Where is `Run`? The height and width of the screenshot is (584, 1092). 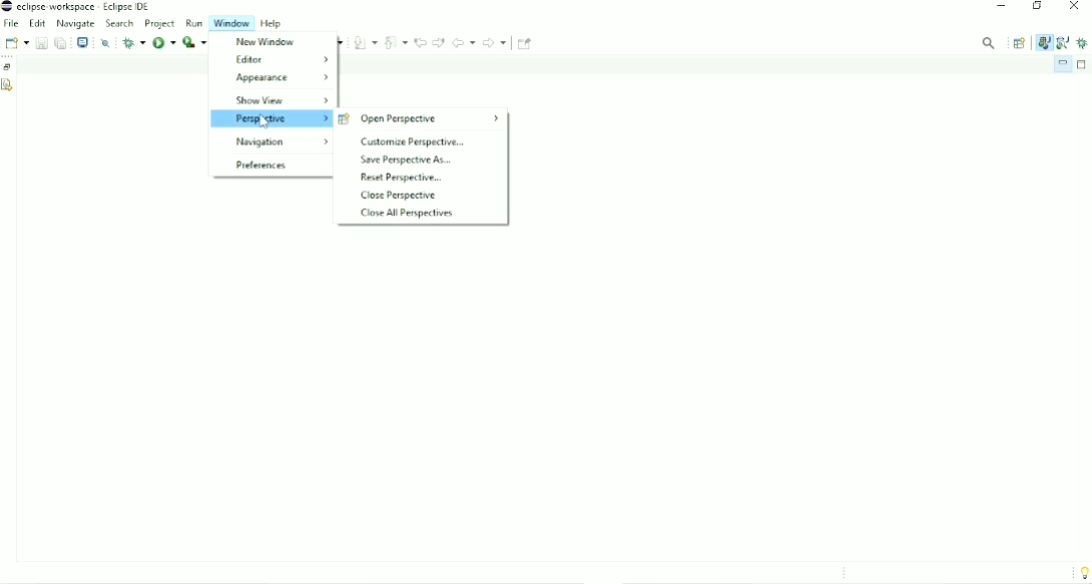 Run is located at coordinates (195, 23).